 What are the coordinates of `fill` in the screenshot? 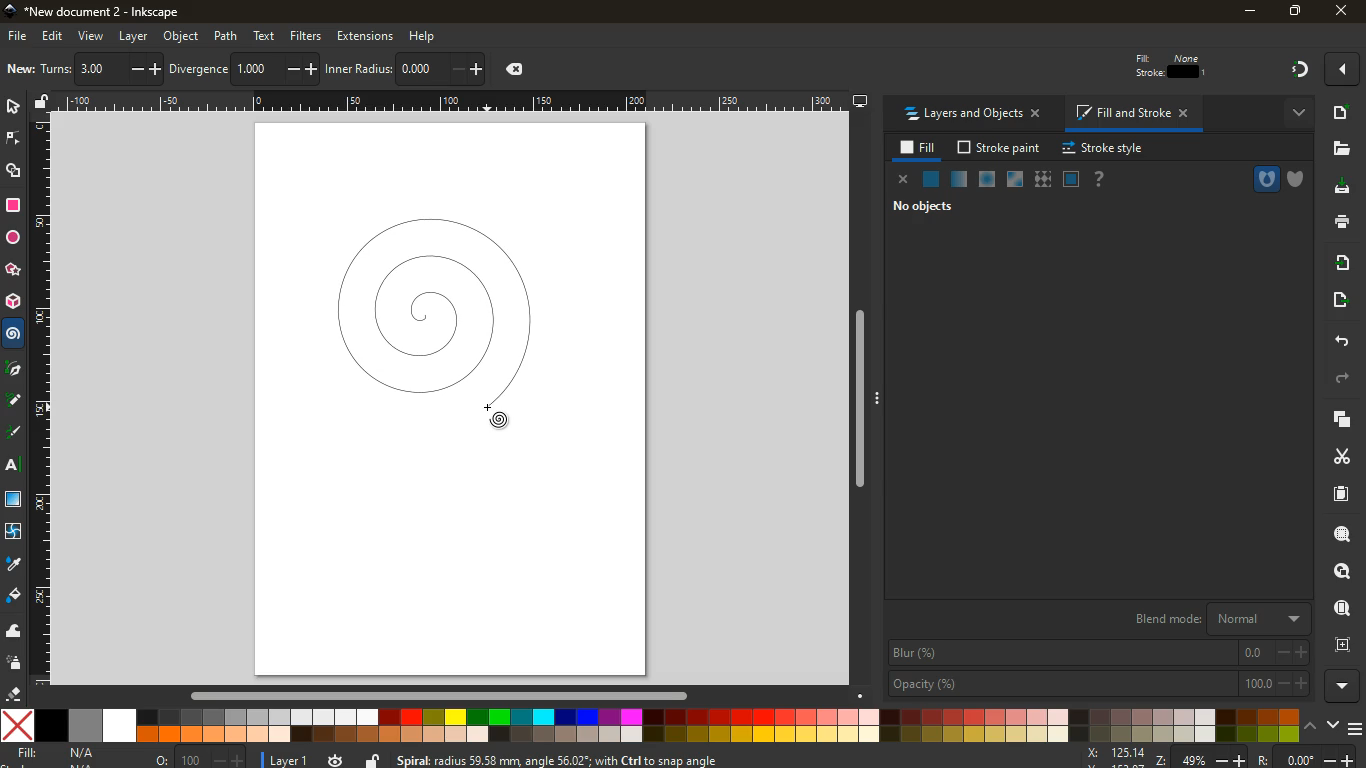 It's located at (60, 755).